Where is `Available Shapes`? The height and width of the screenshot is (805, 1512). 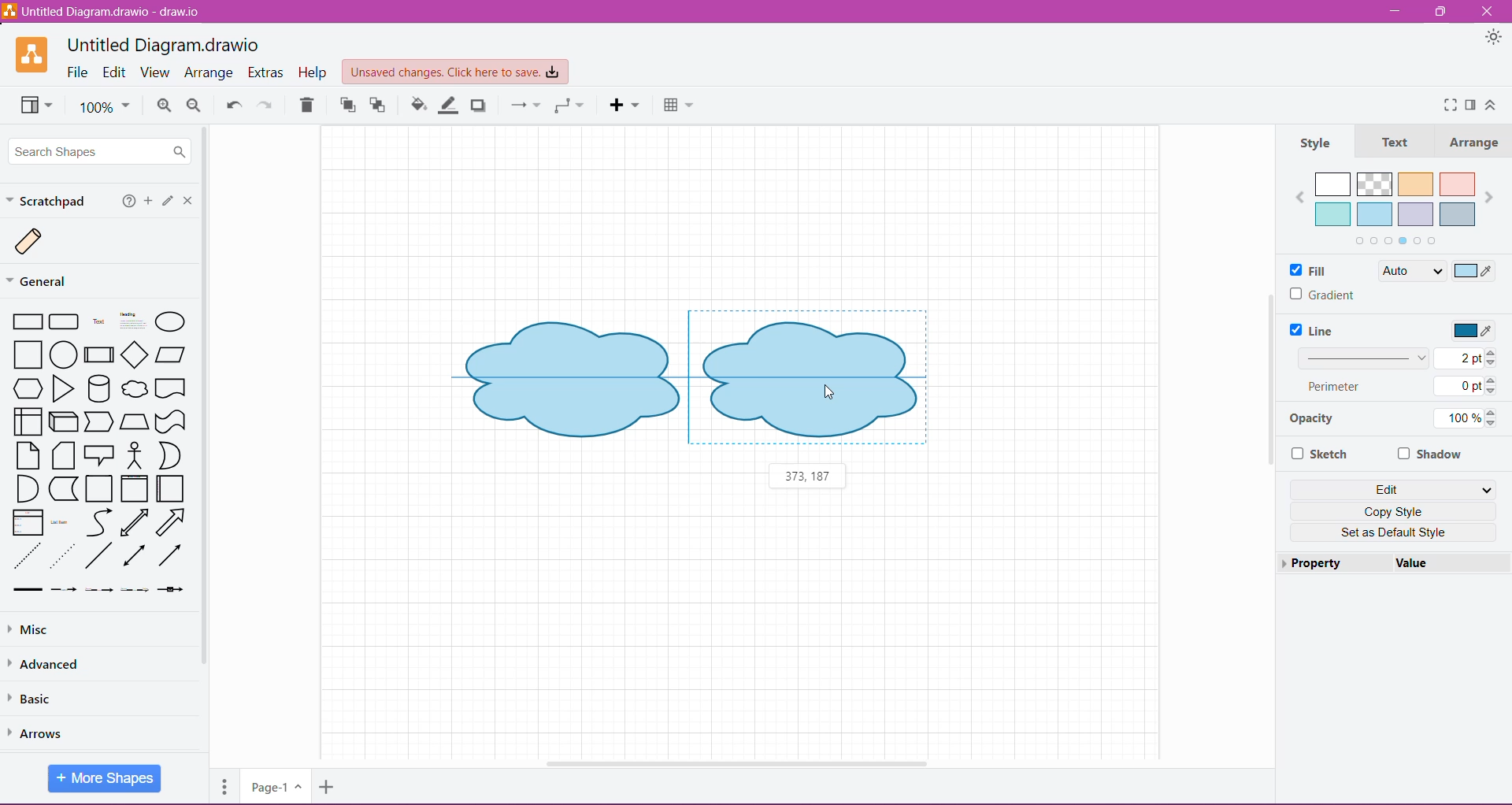 Available Shapes is located at coordinates (104, 454).